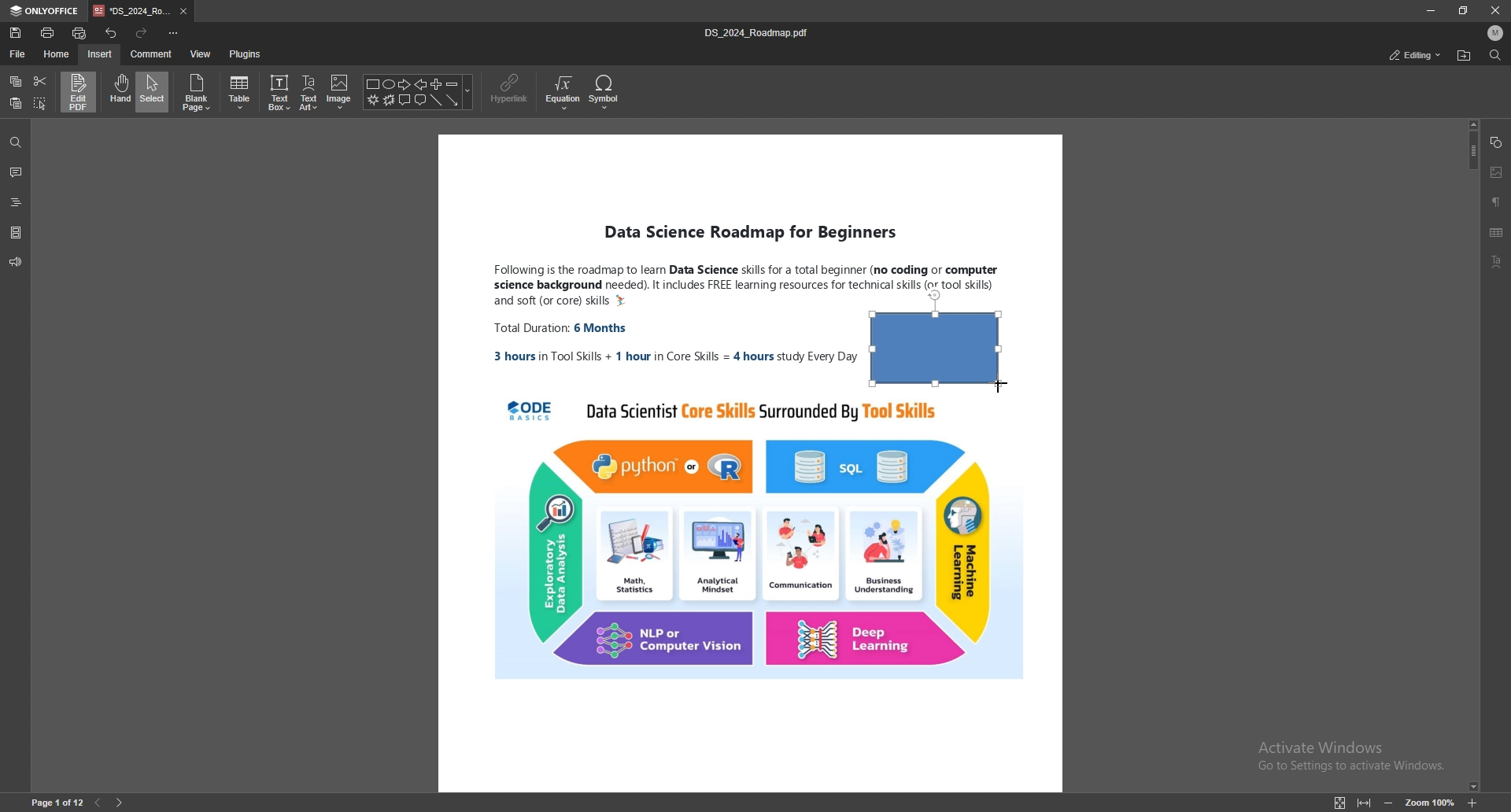  What do you see at coordinates (1432, 802) in the screenshot?
I see `zoom` at bounding box center [1432, 802].